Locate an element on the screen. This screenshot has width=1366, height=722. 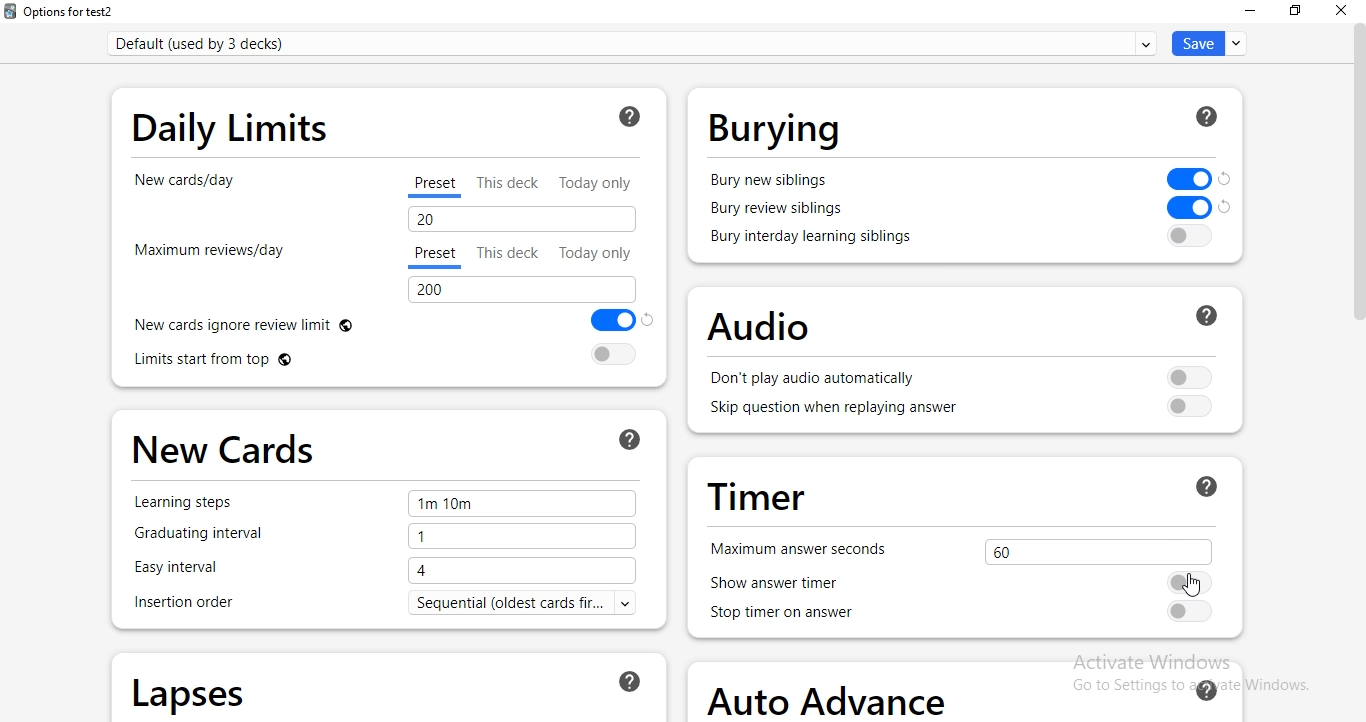
stop timer on answer is located at coordinates (957, 614).